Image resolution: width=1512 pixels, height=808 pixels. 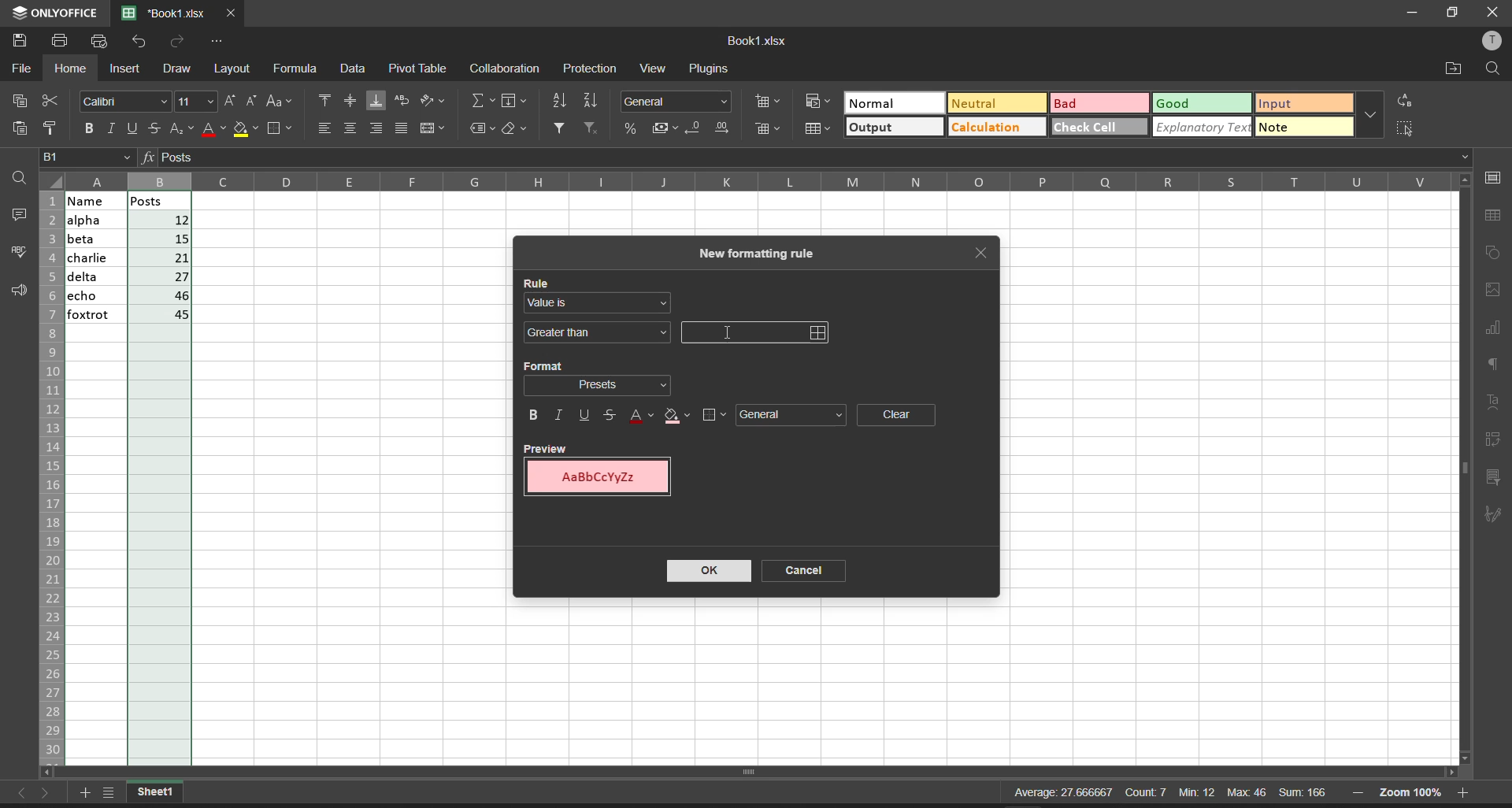 I want to click on fill color, so click(x=678, y=415).